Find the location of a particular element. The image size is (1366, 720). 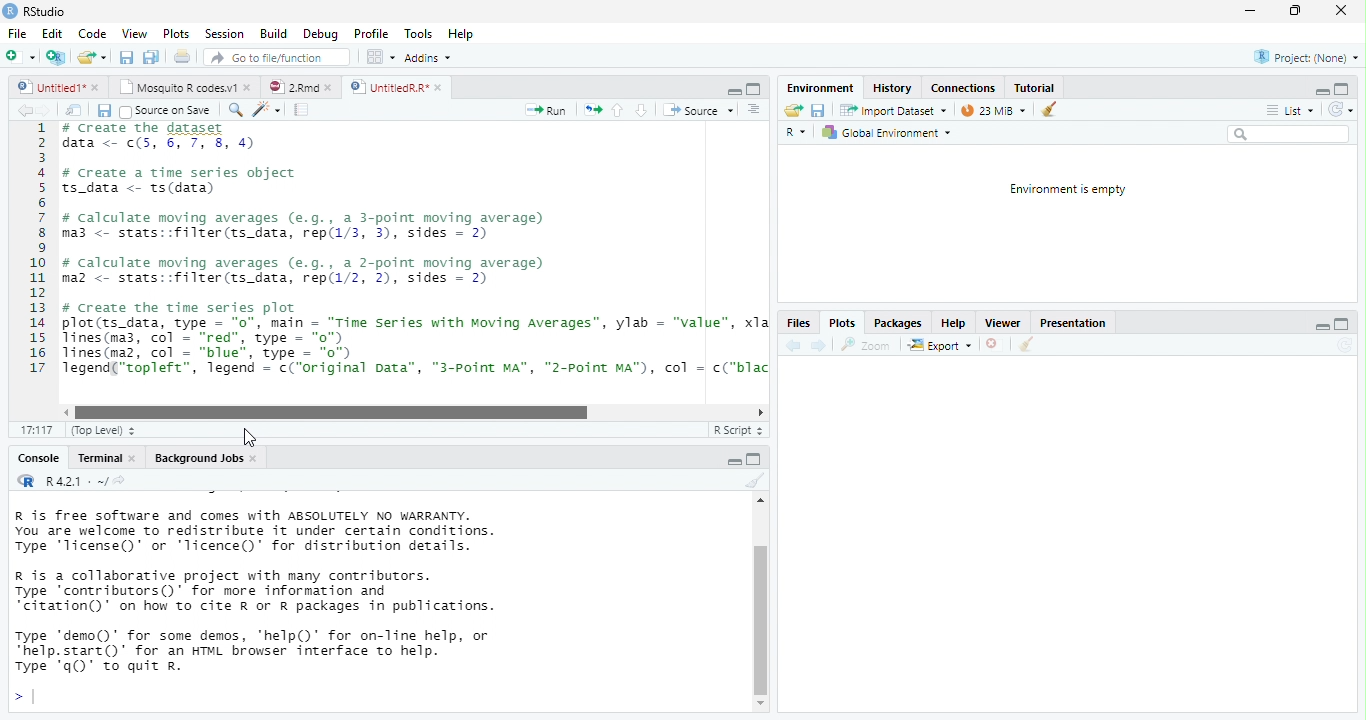

view the current working directory is located at coordinates (120, 480).